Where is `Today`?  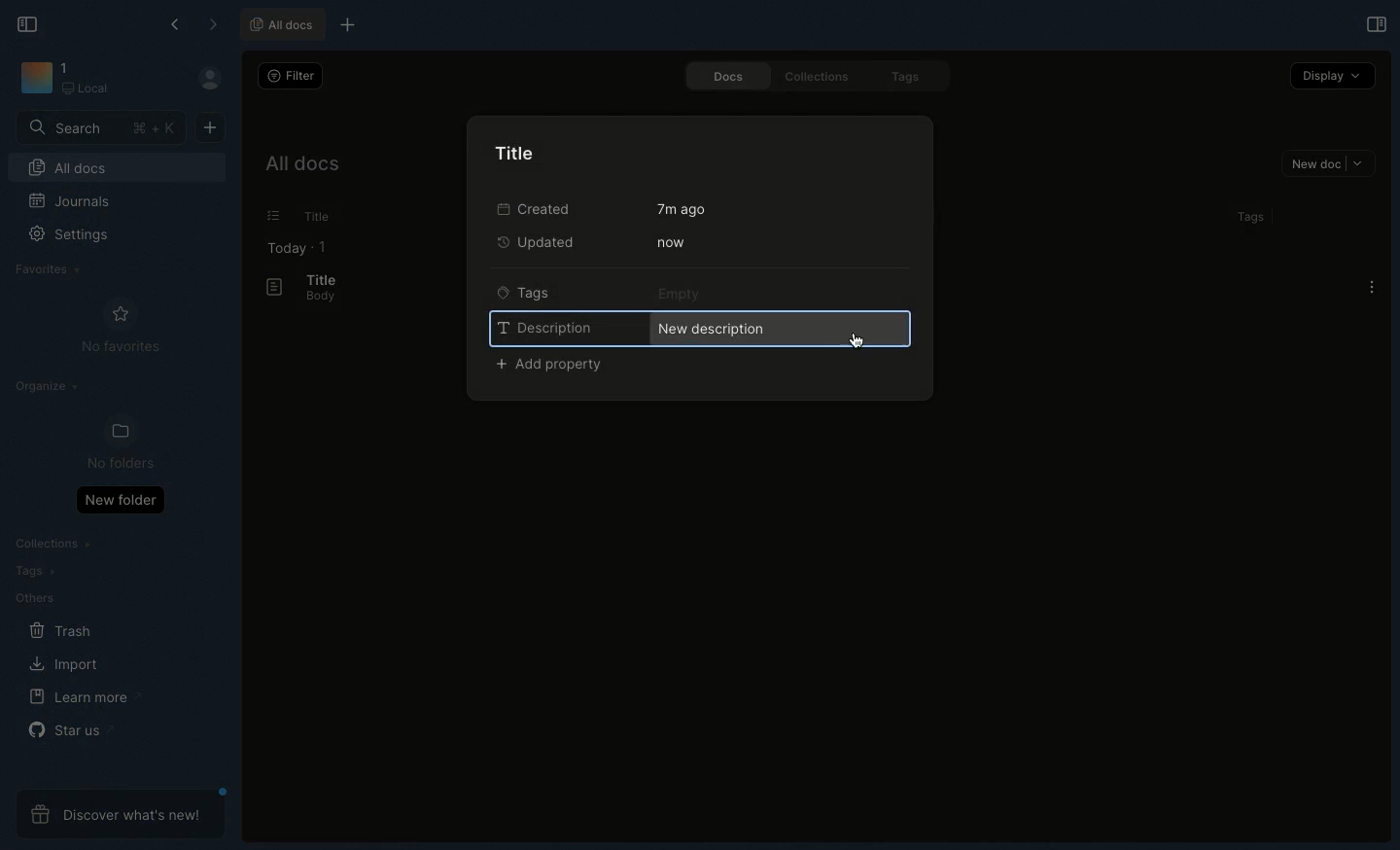 Today is located at coordinates (281, 248).